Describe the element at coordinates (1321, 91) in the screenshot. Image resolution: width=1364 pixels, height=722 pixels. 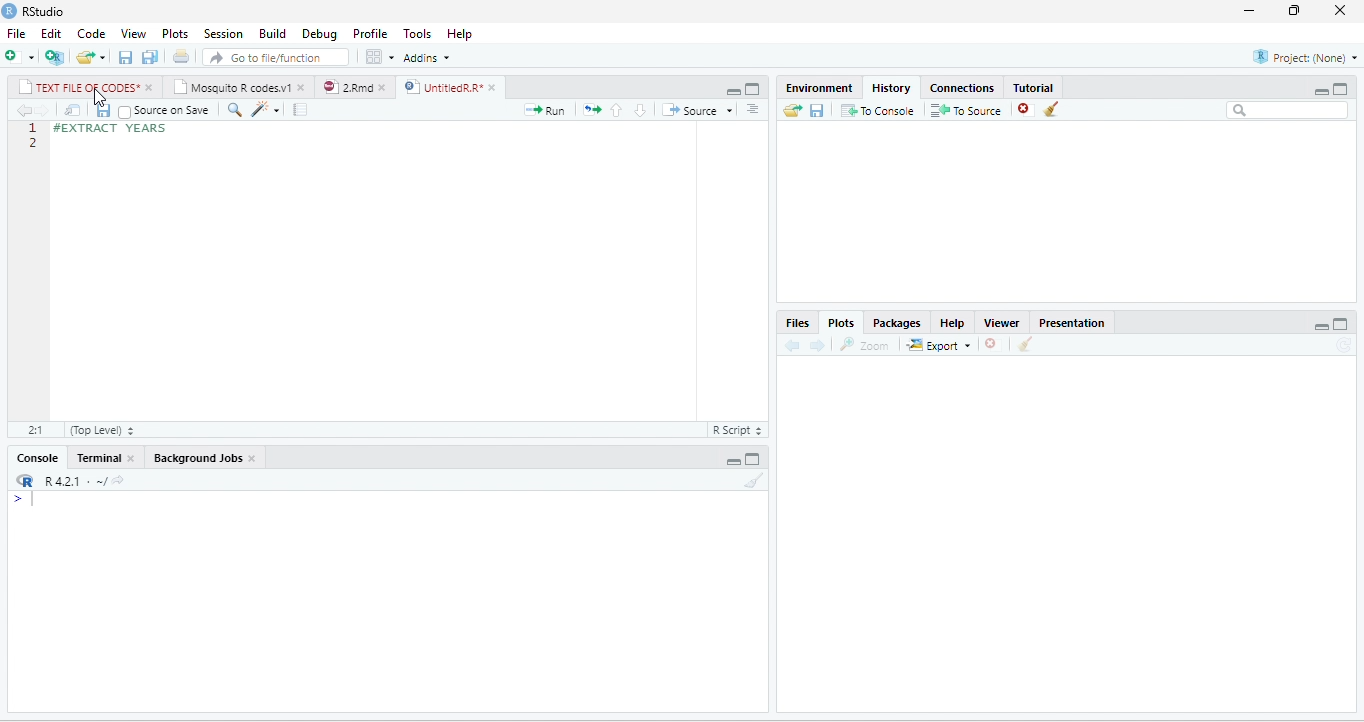
I see `minimize` at that location.